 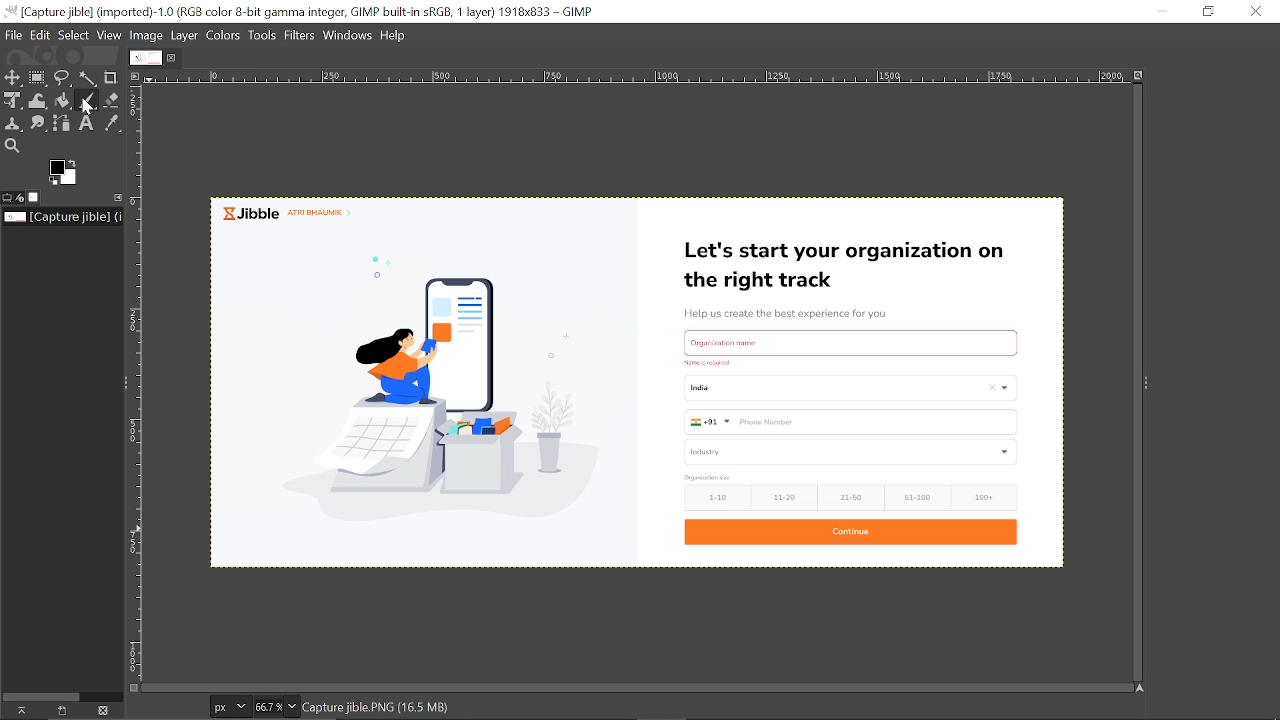 What do you see at coordinates (264, 37) in the screenshot?
I see `Tools` at bounding box center [264, 37].